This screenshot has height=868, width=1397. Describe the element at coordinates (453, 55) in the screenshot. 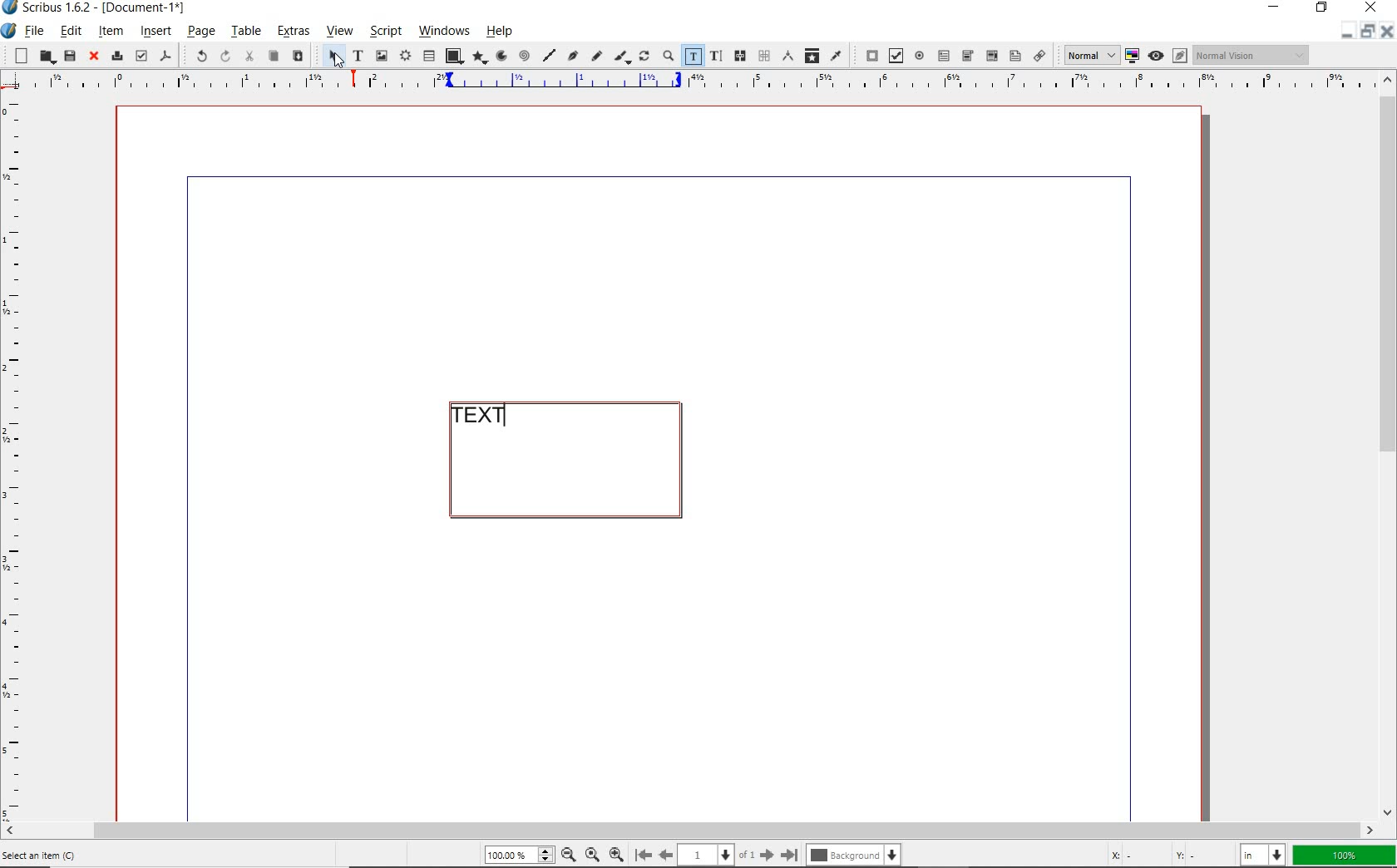

I see `shape` at that location.